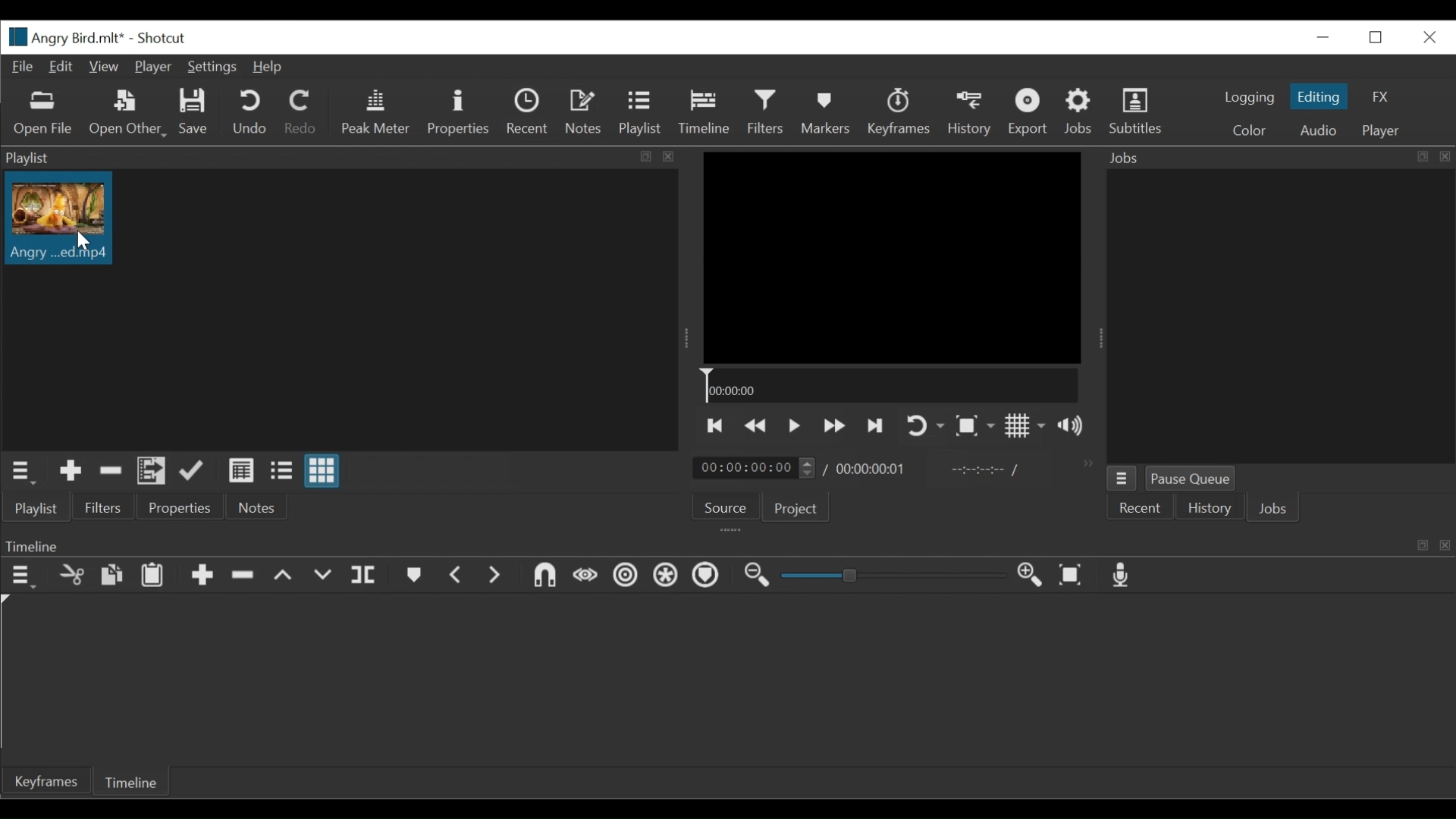  Describe the element at coordinates (891, 257) in the screenshot. I see `Media Viewer` at that location.